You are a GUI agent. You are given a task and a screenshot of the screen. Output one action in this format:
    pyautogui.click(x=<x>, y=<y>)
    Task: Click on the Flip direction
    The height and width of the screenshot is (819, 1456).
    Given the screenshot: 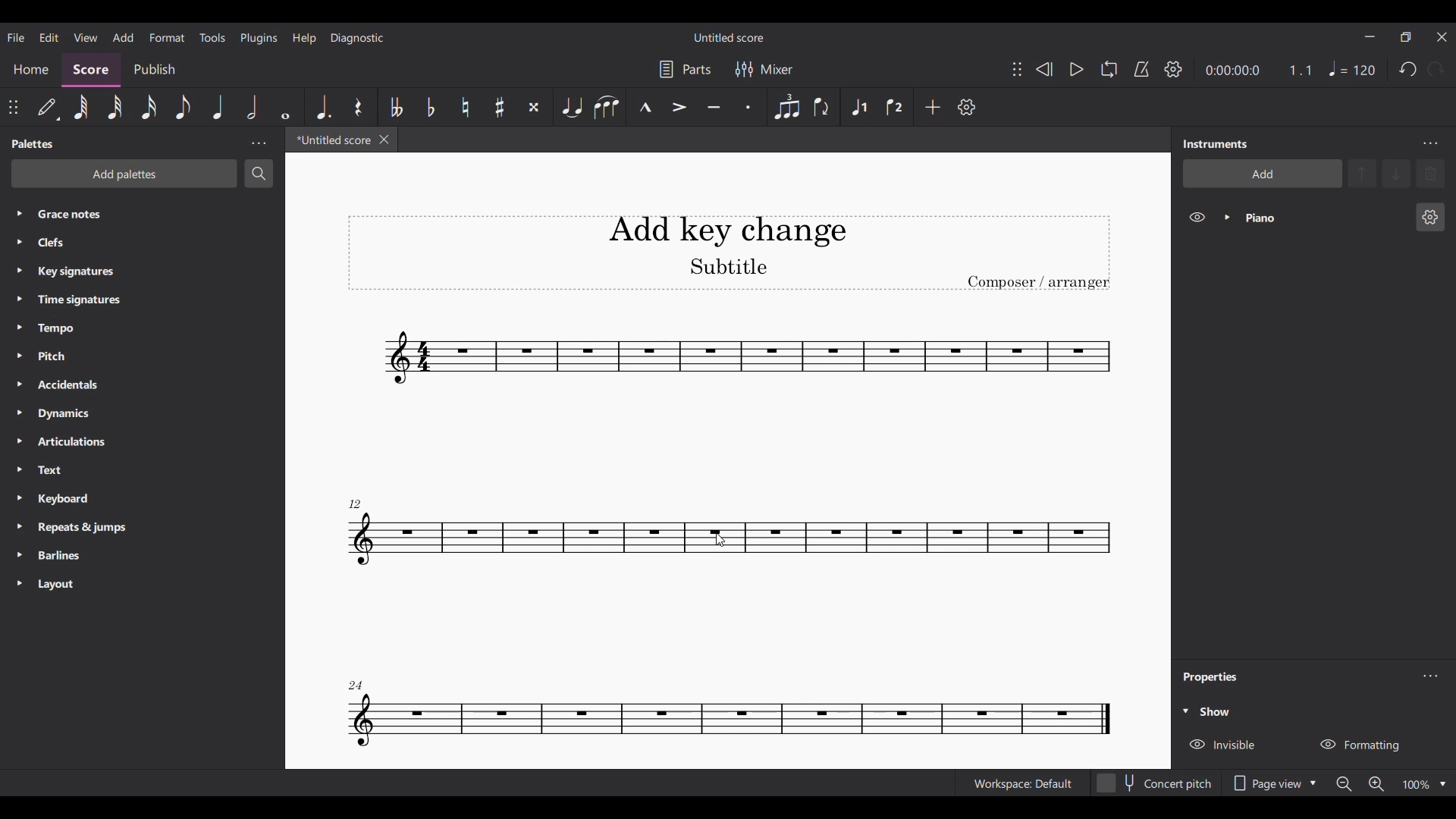 What is the action you would take?
    pyautogui.click(x=821, y=106)
    